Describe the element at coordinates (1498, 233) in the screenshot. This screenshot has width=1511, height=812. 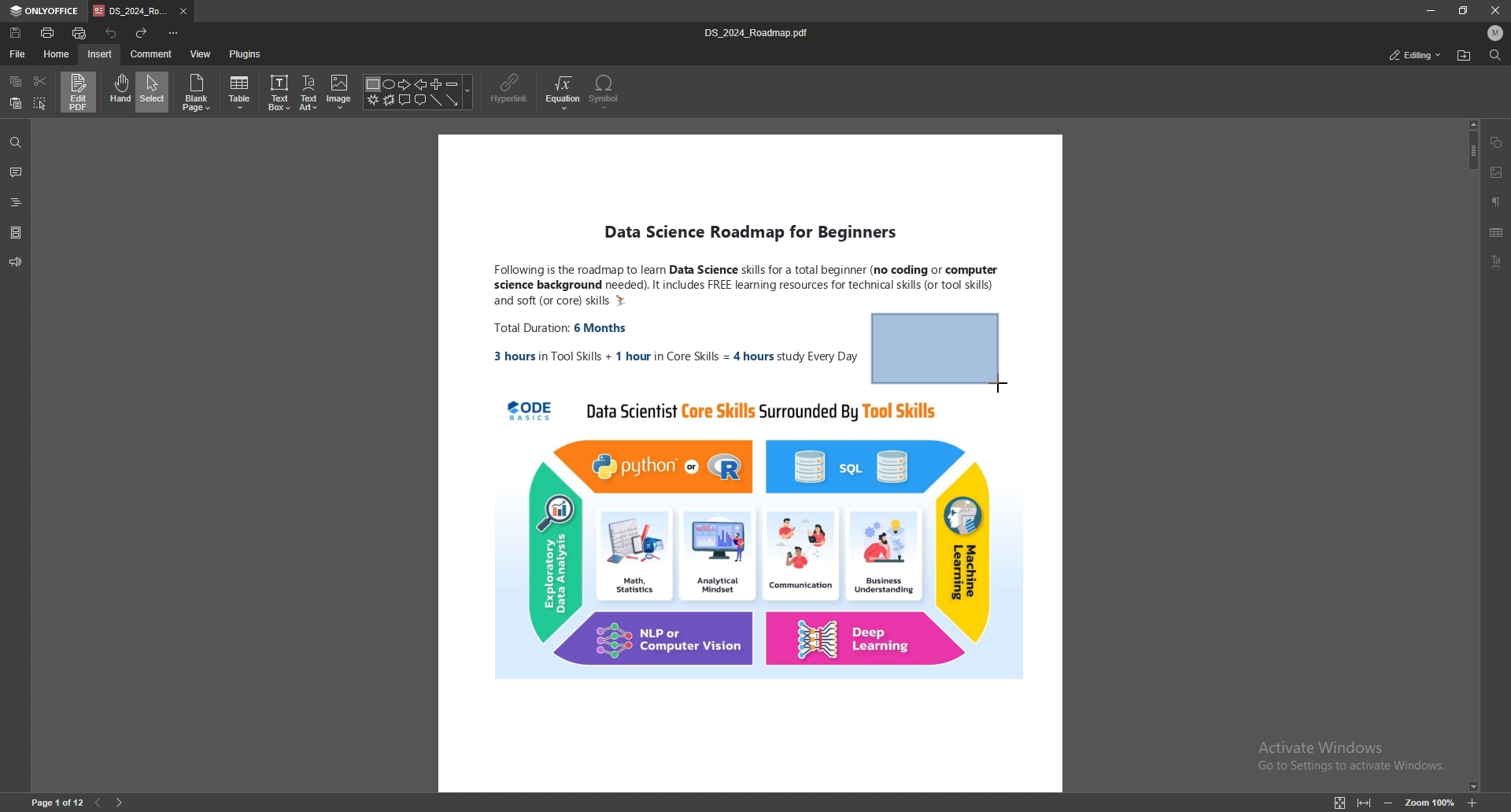
I see `table` at that location.